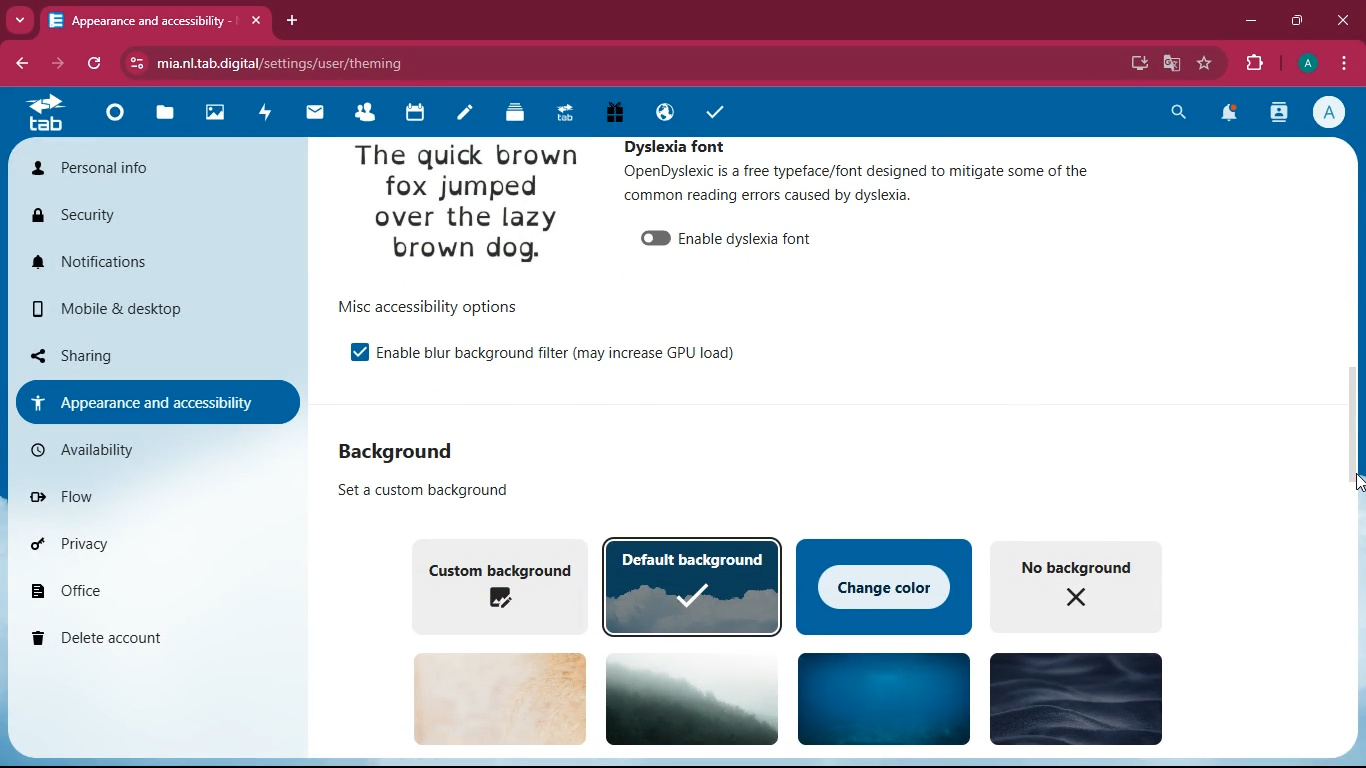  What do you see at coordinates (1205, 63) in the screenshot?
I see `favourite` at bounding box center [1205, 63].